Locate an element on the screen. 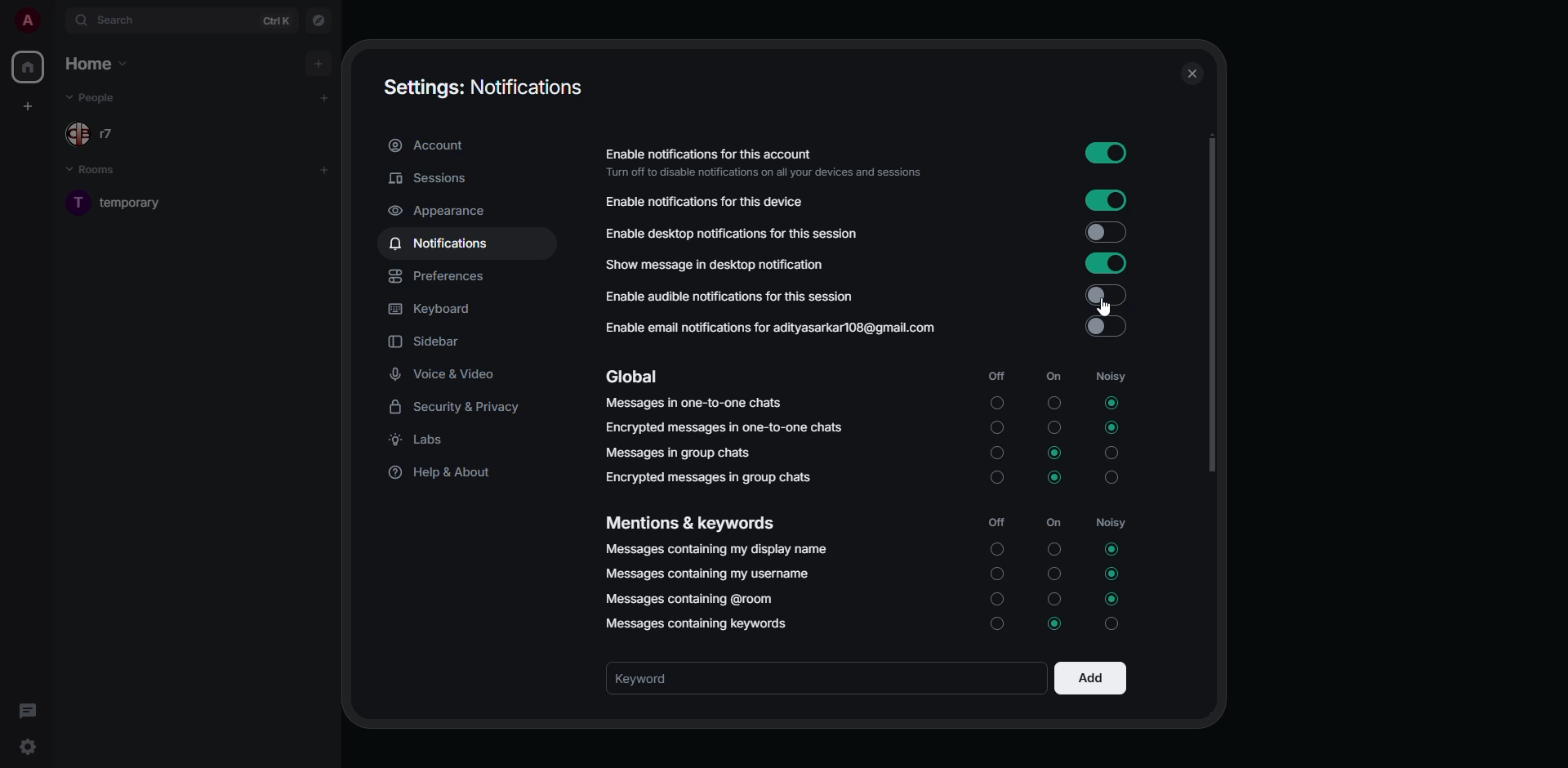  mentions & keywords is located at coordinates (693, 522).